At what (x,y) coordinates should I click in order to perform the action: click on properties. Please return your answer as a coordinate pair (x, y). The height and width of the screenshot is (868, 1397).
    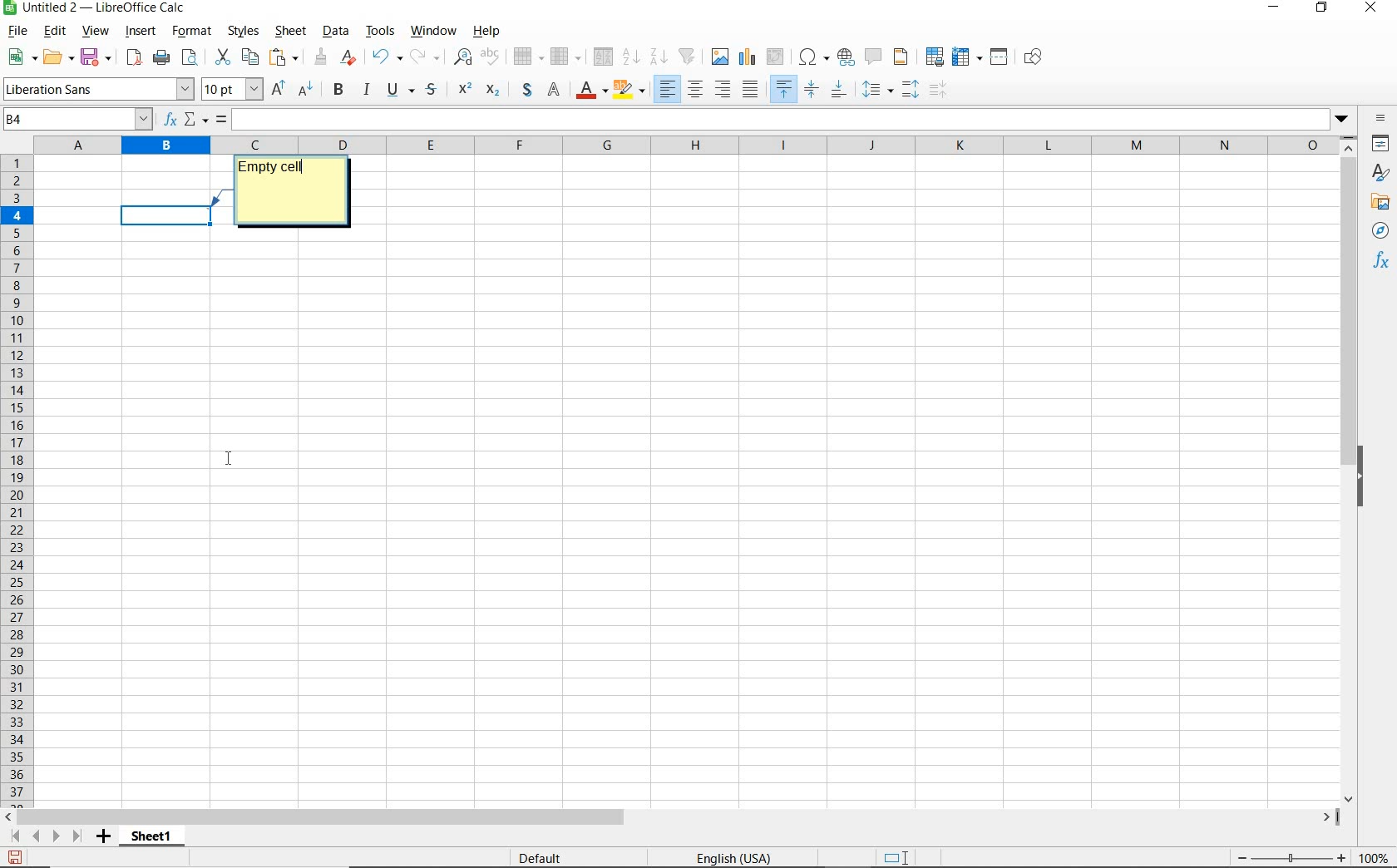
    Looking at the image, I should click on (1380, 142).